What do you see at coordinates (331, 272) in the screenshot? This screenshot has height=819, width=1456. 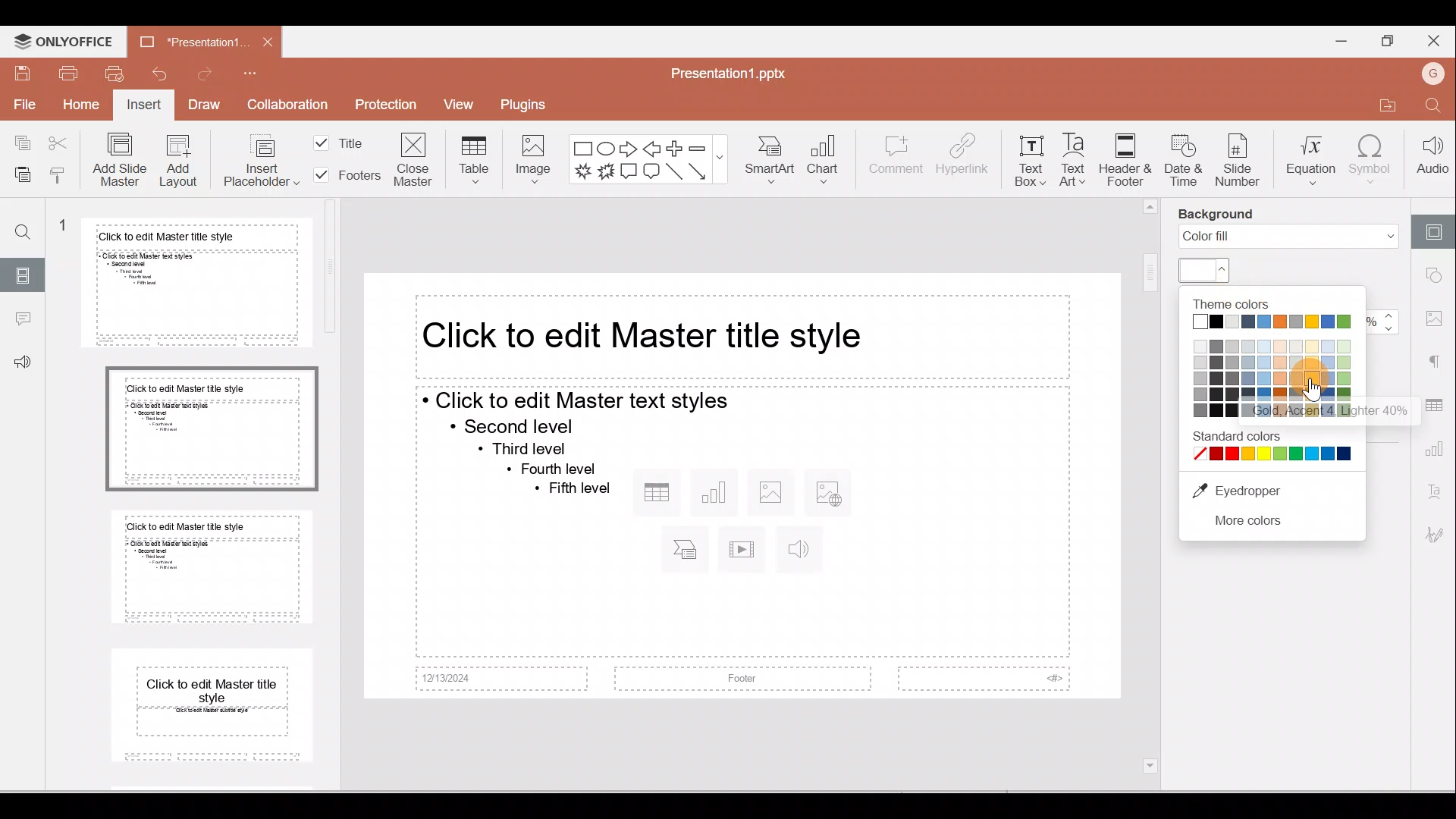 I see `vertical scrollbar` at bounding box center [331, 272].